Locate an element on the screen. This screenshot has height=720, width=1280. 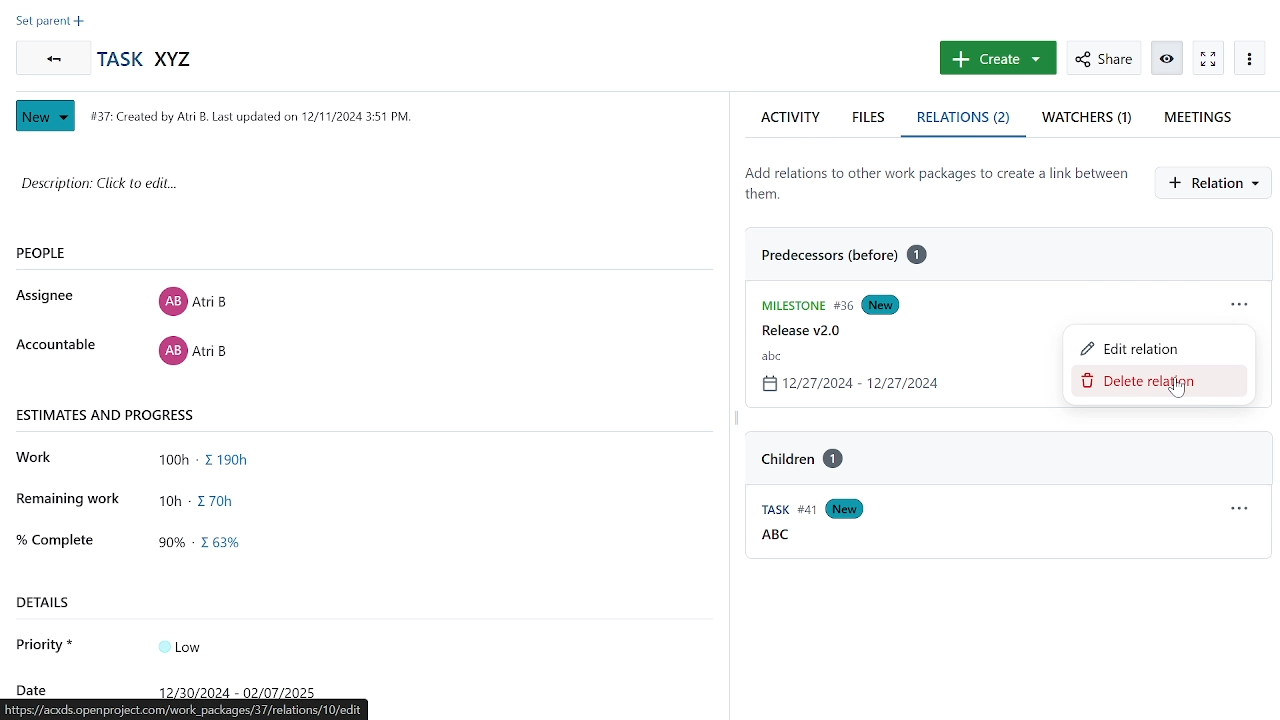
activate zen mode is located at coordinates (1169, 57).